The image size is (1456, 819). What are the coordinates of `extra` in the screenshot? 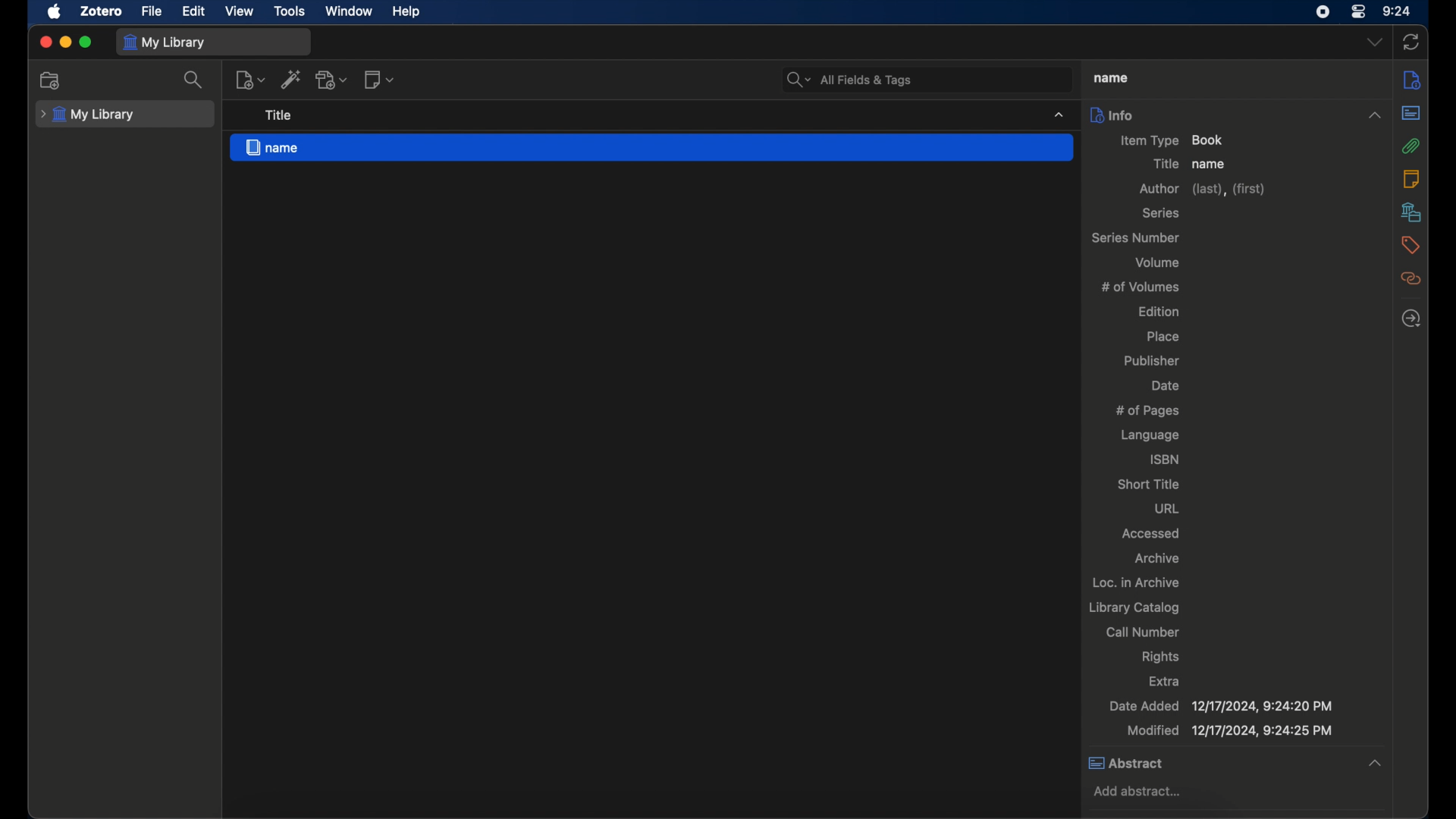 It's located at (1165, 680).